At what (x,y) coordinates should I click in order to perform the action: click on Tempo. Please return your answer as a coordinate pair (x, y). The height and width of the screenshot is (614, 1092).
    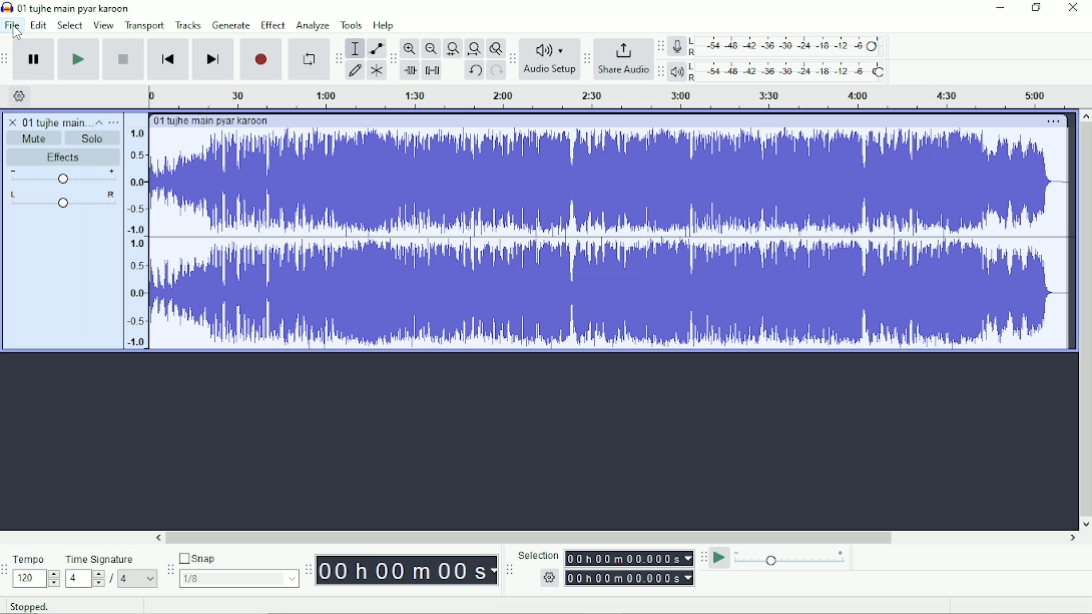
    Looking at the image, I should click on (37, 571).